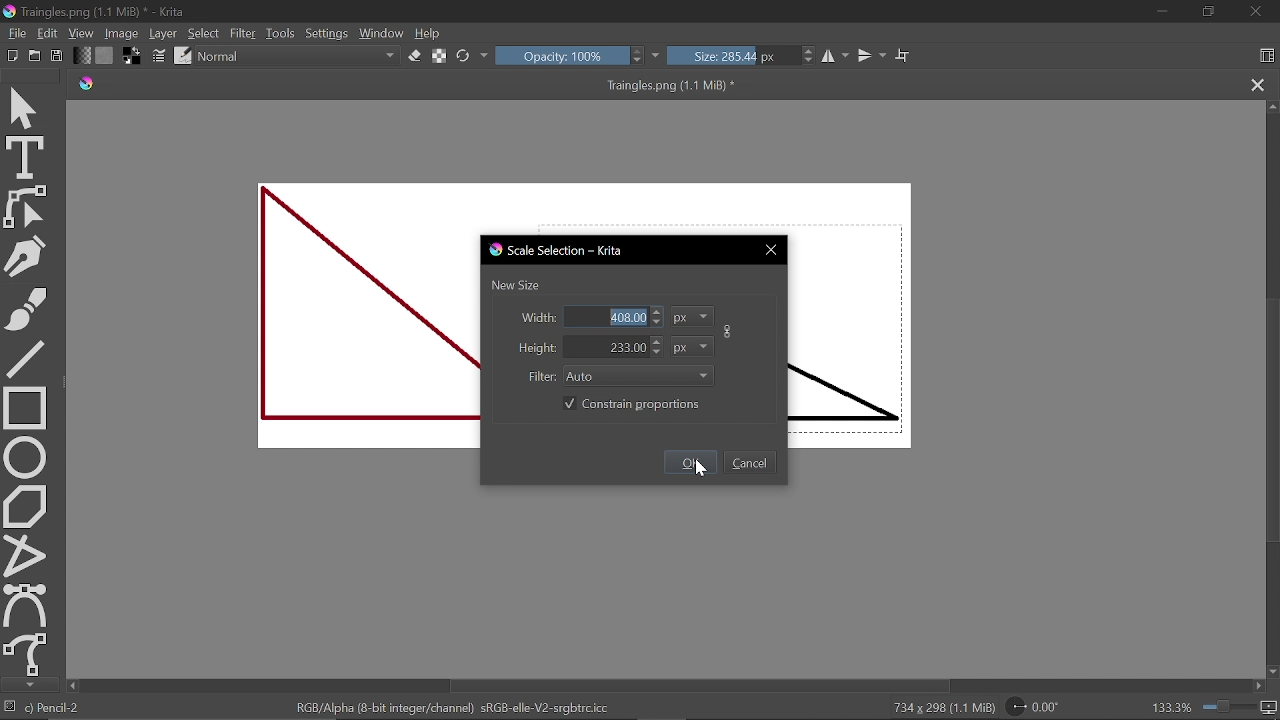 Image resolution: width=1280 pixels, height=720 pixels. What do you see at coordinates (902, 55) in the screenshot?
I see `Wrap text tool` at bounding box center [902, 55].